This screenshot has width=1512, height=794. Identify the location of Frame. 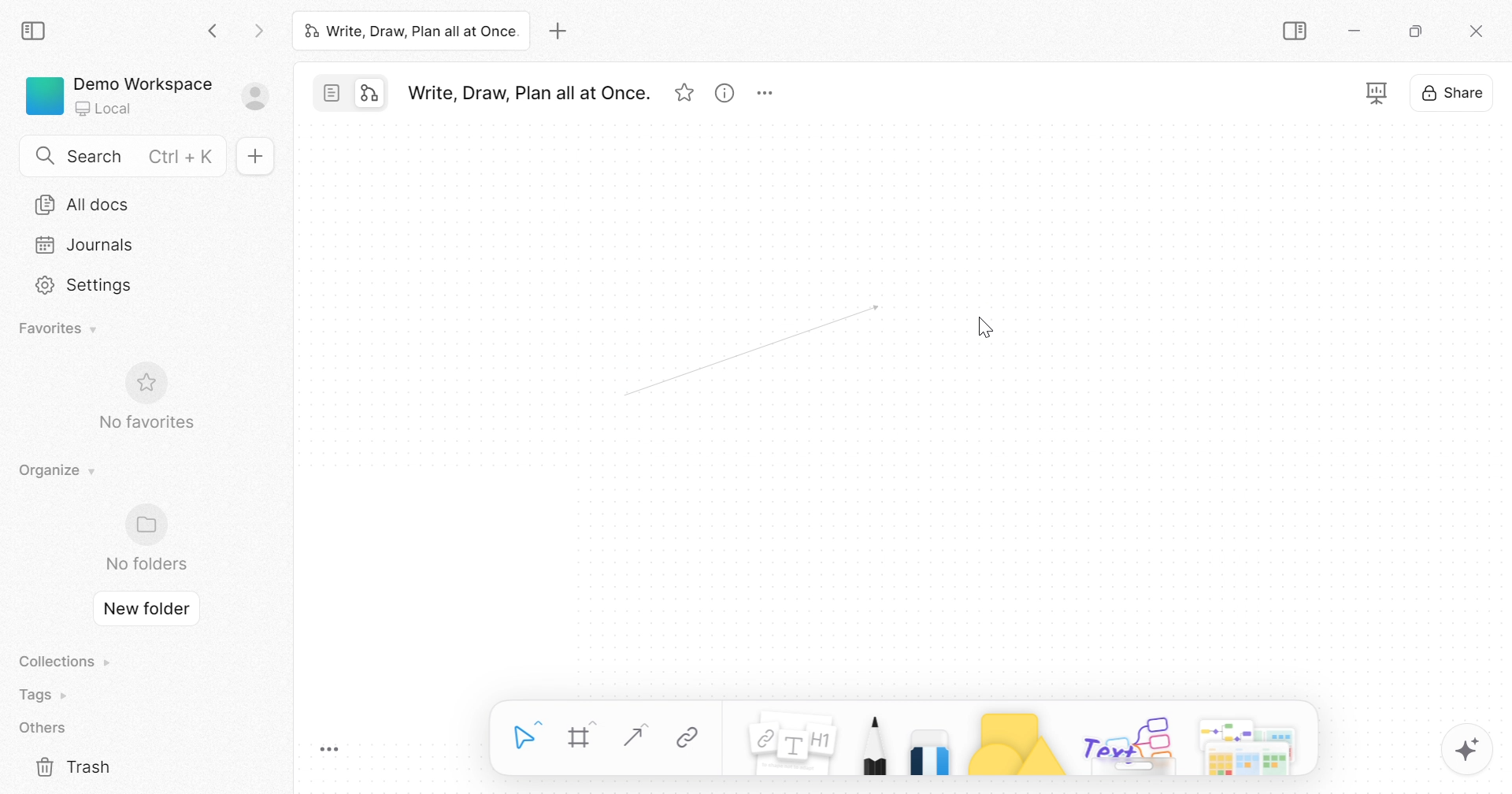
(581, 737).